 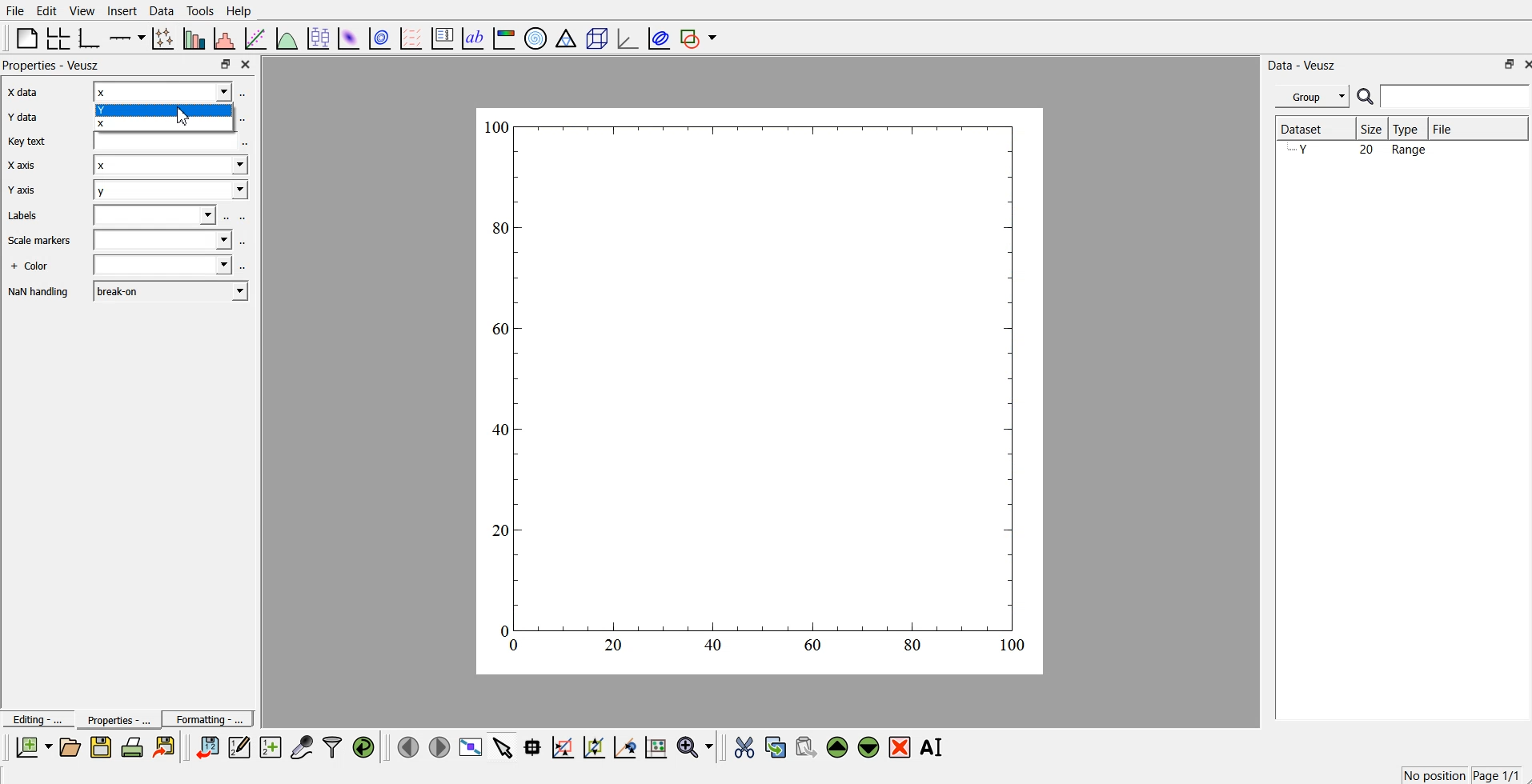 What do you see at coordinates (24, 167) in the screenshot?
I see `| X axis,` at bounding box center [24, 167].